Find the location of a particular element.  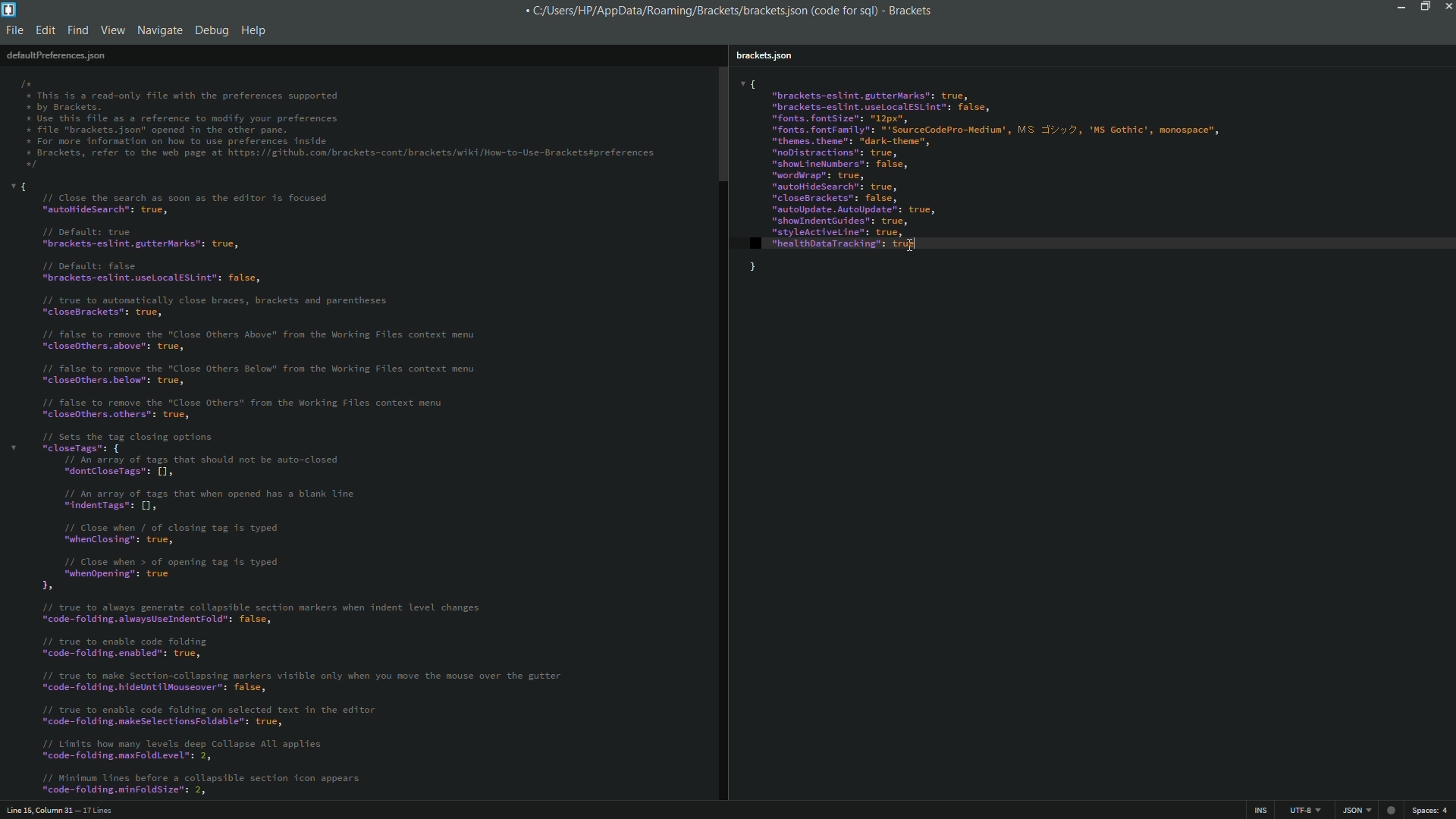

App icon is located at coordinates (11, 10).